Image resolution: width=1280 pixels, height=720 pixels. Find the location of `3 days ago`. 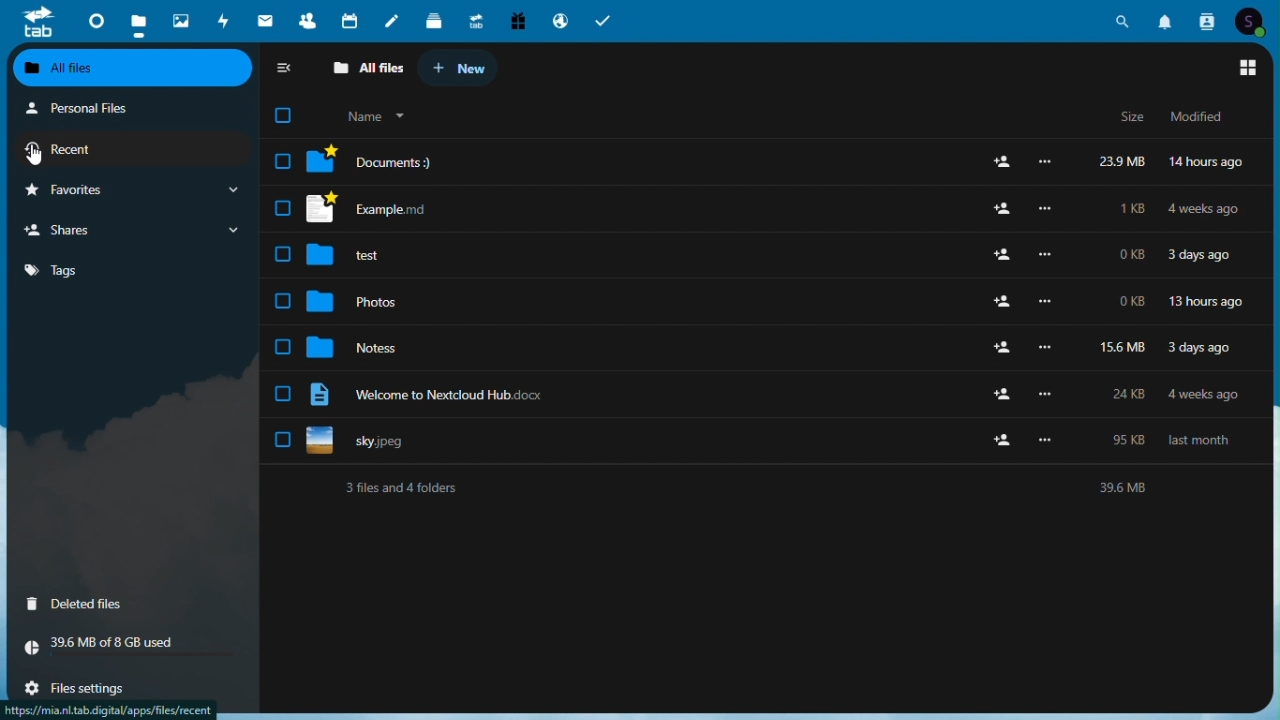

3 days ago is located at coordinates (1197, 347).